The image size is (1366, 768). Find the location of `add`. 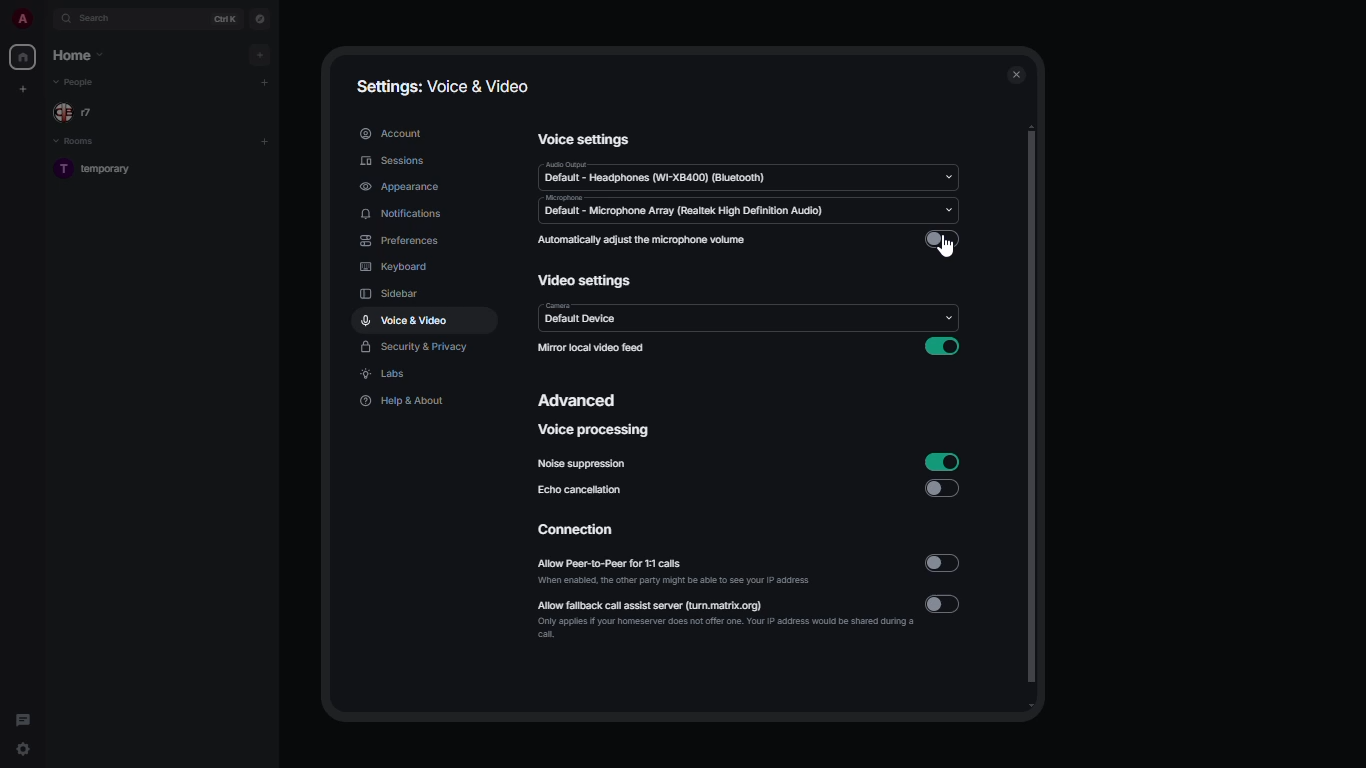

add is located at coordinates (263, 54).